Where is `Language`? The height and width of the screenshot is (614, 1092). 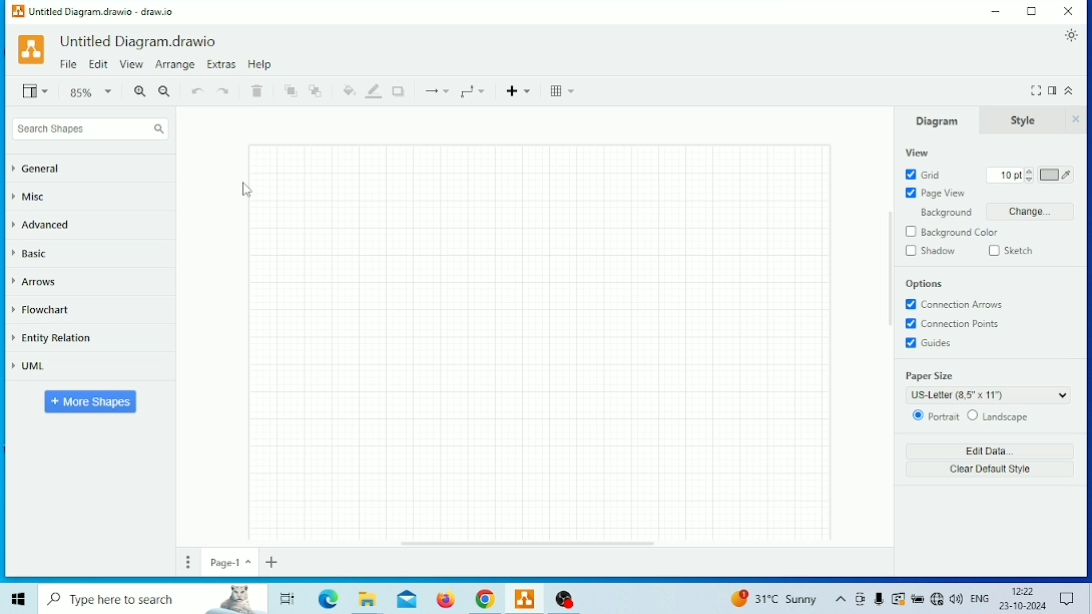
Language is located at coordinates (979, 598).